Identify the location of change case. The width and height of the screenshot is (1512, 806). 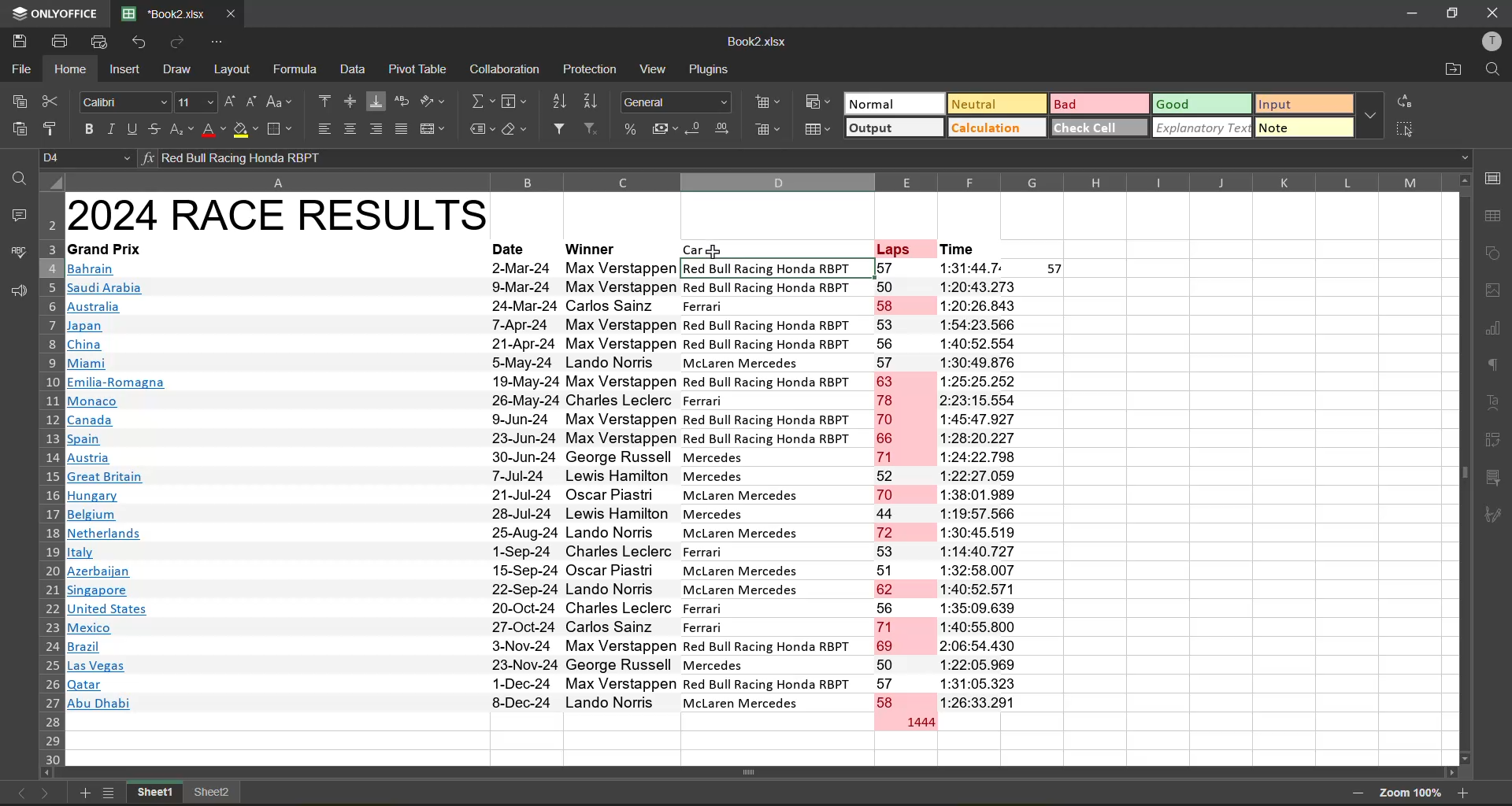
(280, 102).